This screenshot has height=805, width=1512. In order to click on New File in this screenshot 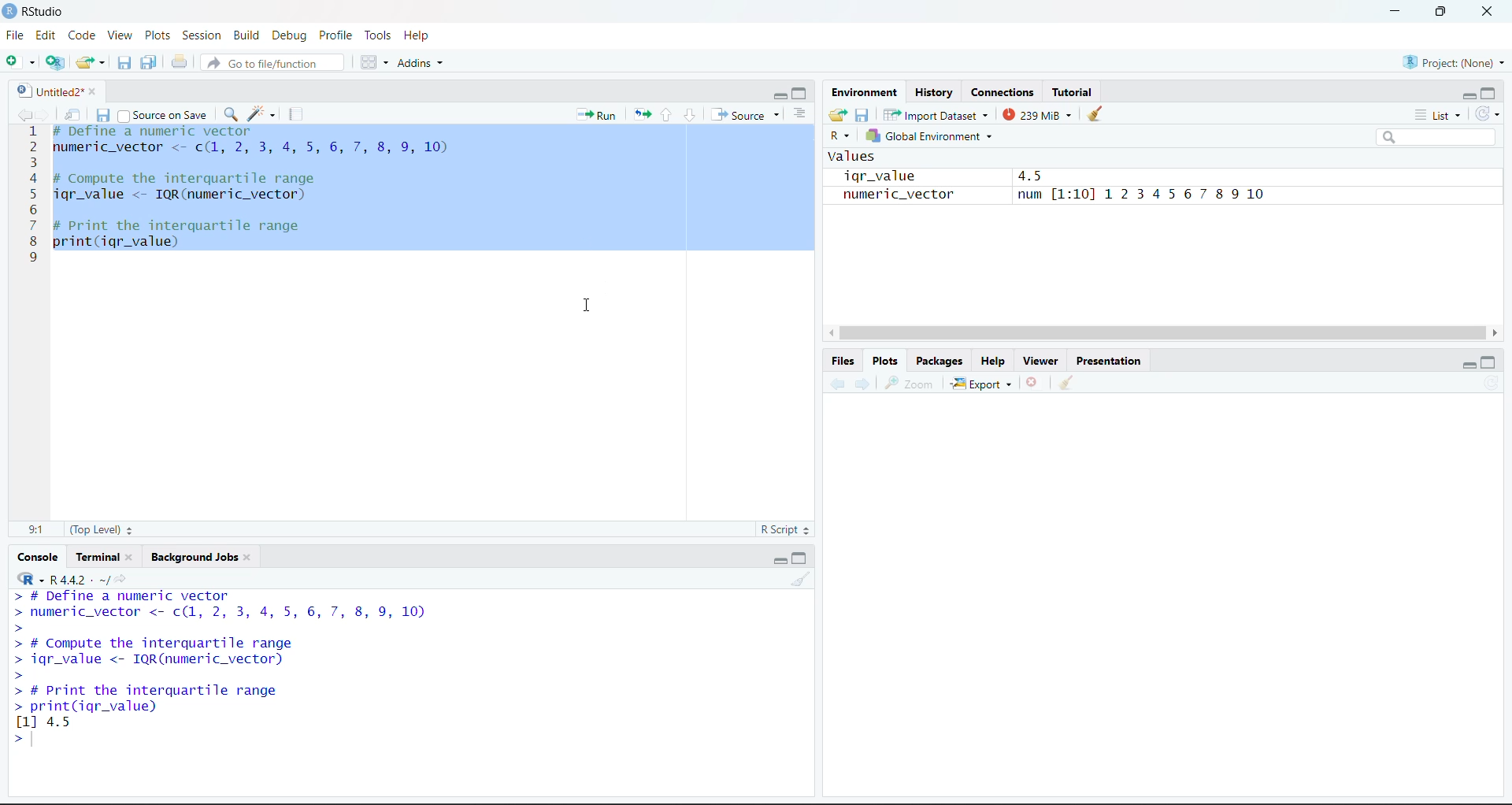, I will do `click(20, 61)`.